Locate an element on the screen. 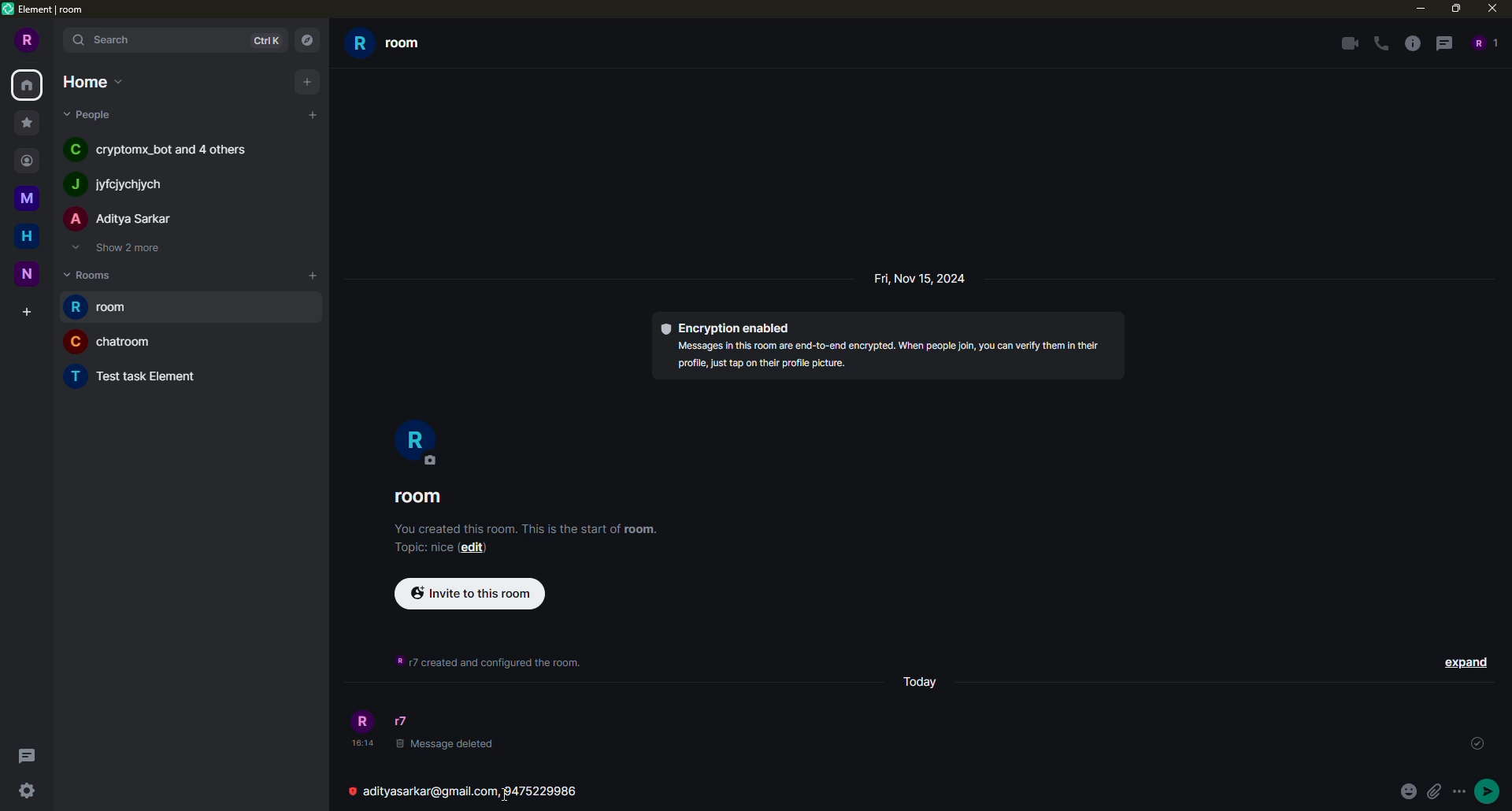 This screenshot has width=1512, height=811. people is located at coordinates (121, 218).